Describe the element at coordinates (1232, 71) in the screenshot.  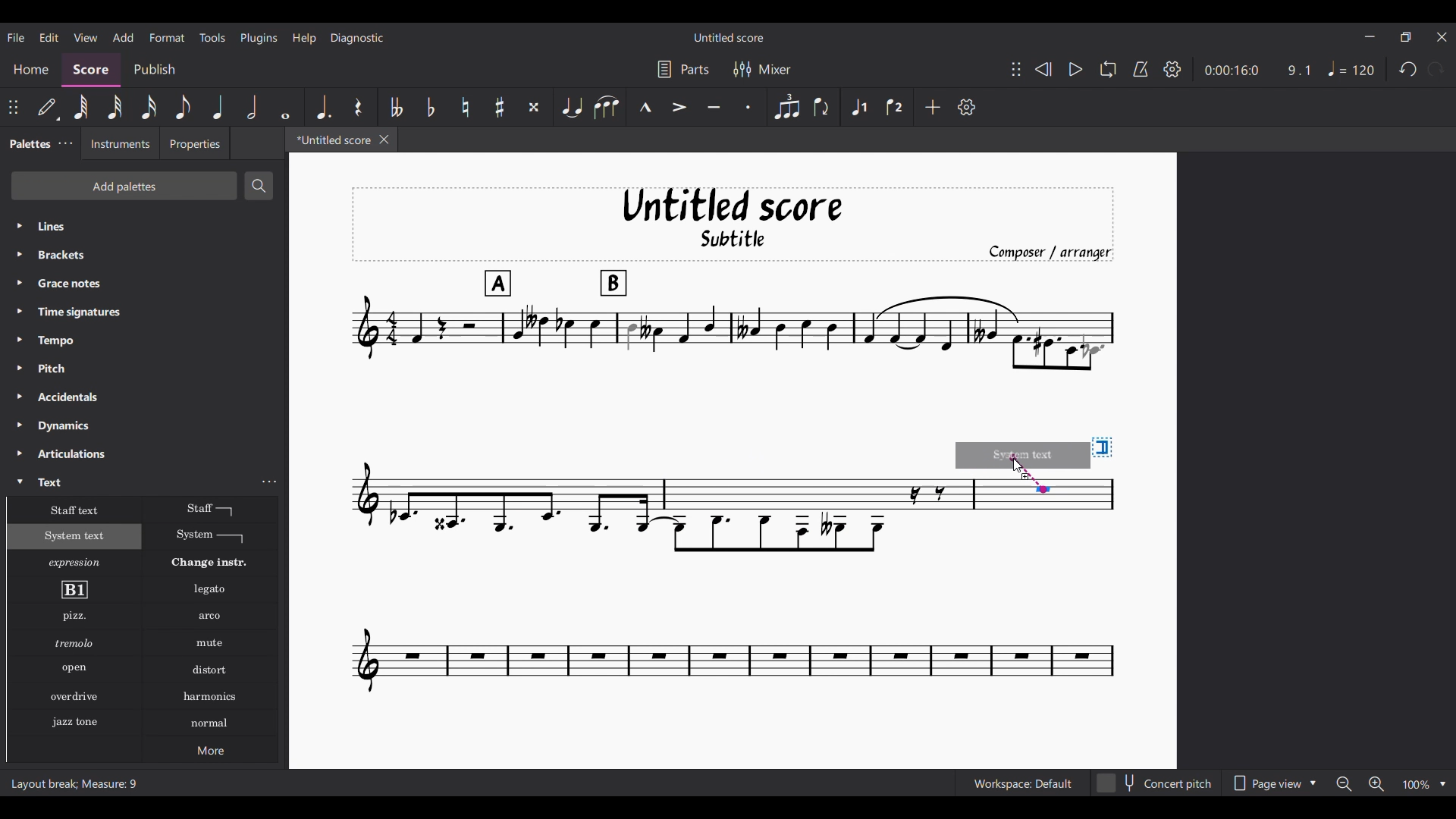
I see `0:00:16:0` at that location.